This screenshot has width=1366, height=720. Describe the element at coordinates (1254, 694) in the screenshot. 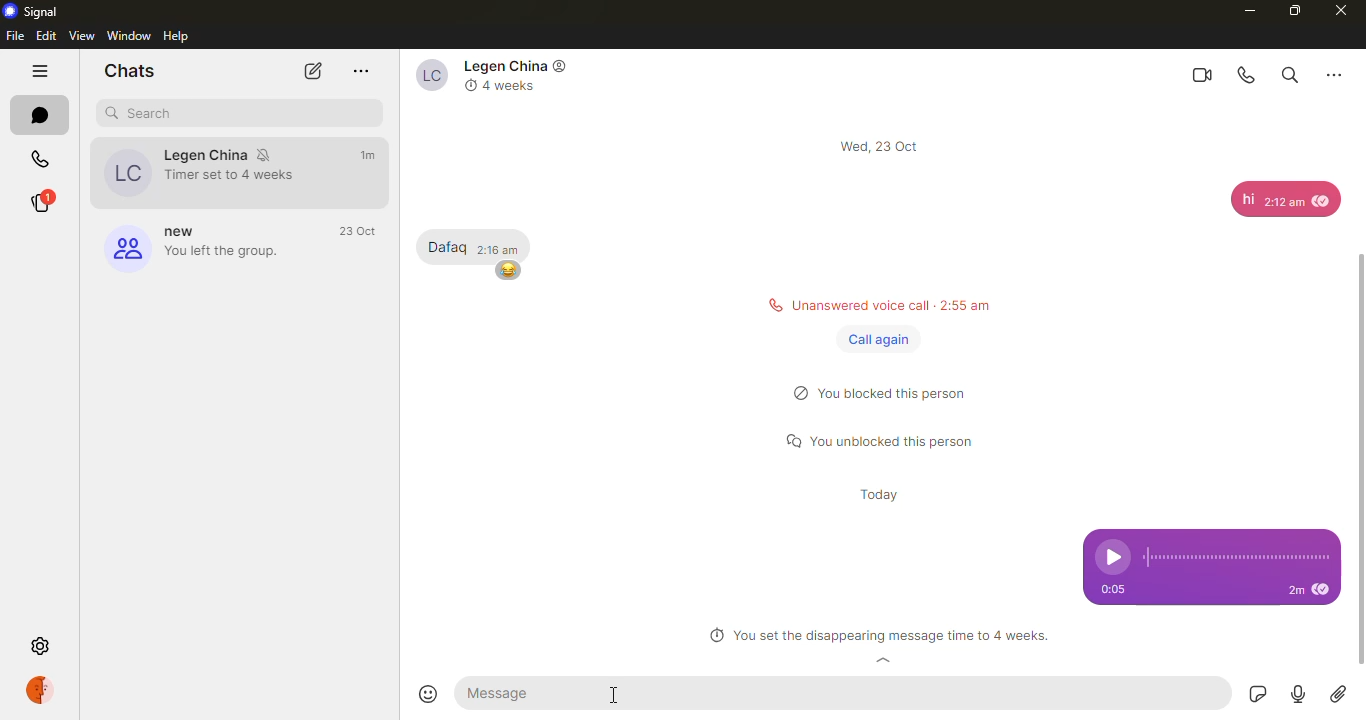

I see `sticker` at that location.